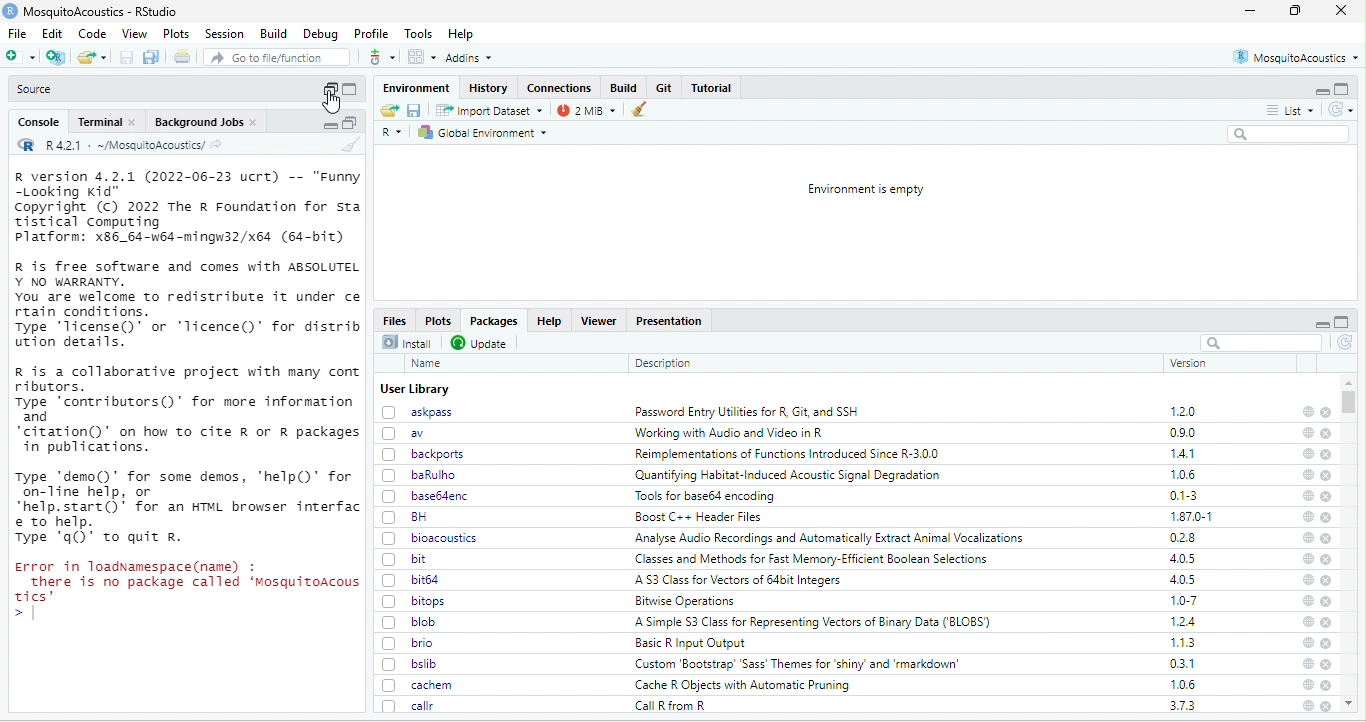  Describe the element at coordinates (409, 434) in the screenshot. I see `av` at that location.